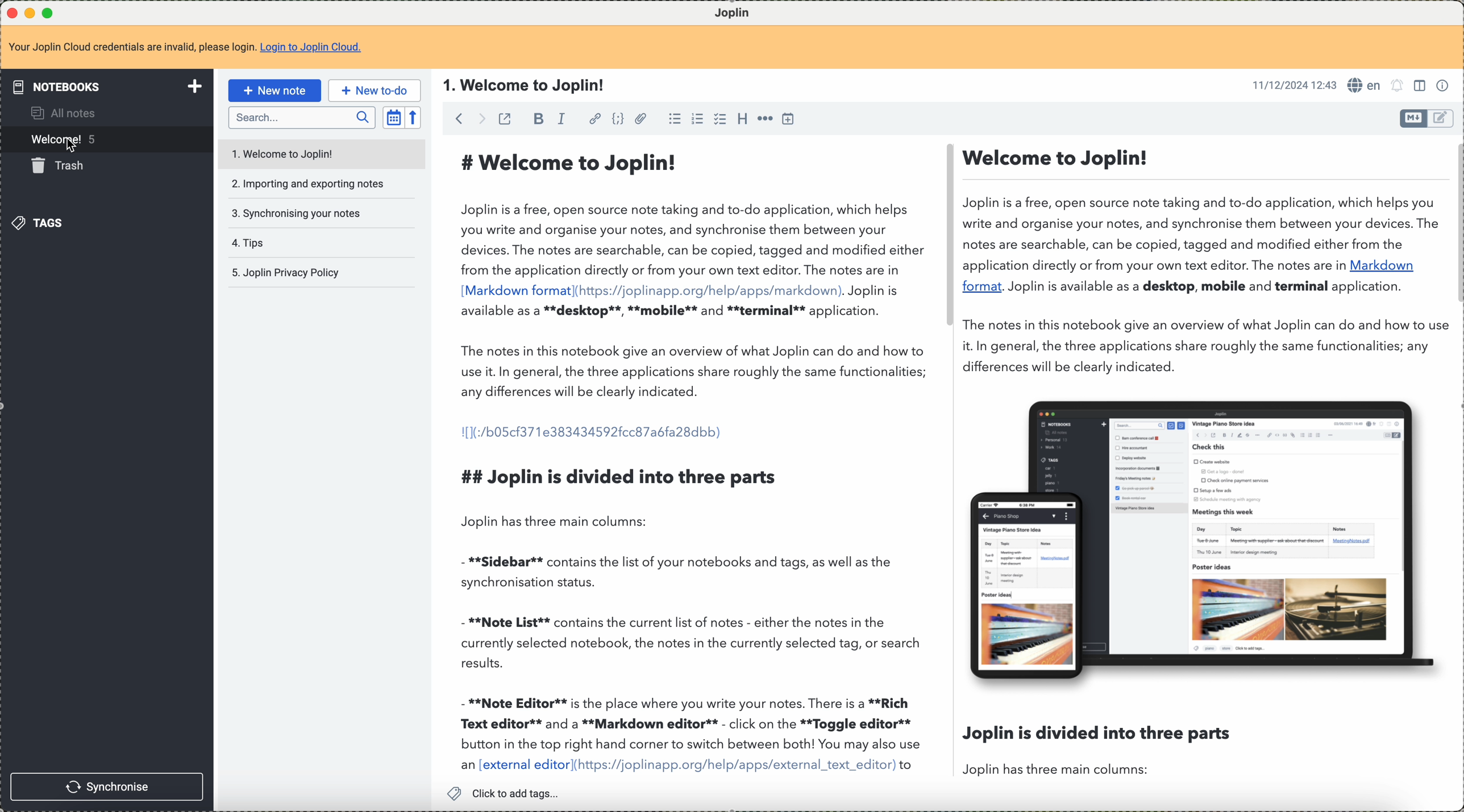 Image resolution: width=1464 pixels, height=812 pixels. What do you see at coordinates (110, 86) in the screenshot?
I see `notebooks` at bounding box center [110, 86].